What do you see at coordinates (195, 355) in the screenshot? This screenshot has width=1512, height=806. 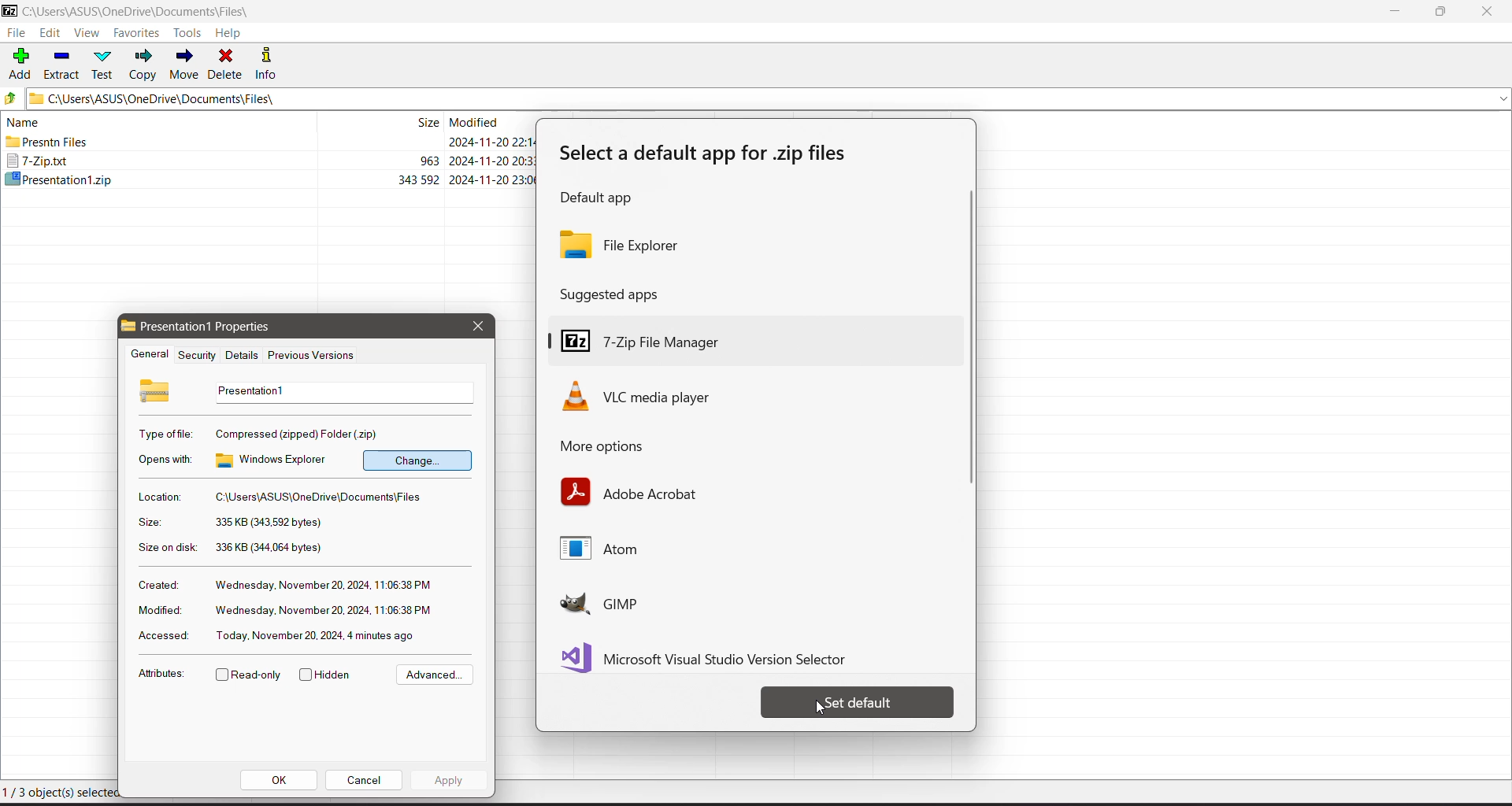 I see `Security` at bounding box center [195, 355].